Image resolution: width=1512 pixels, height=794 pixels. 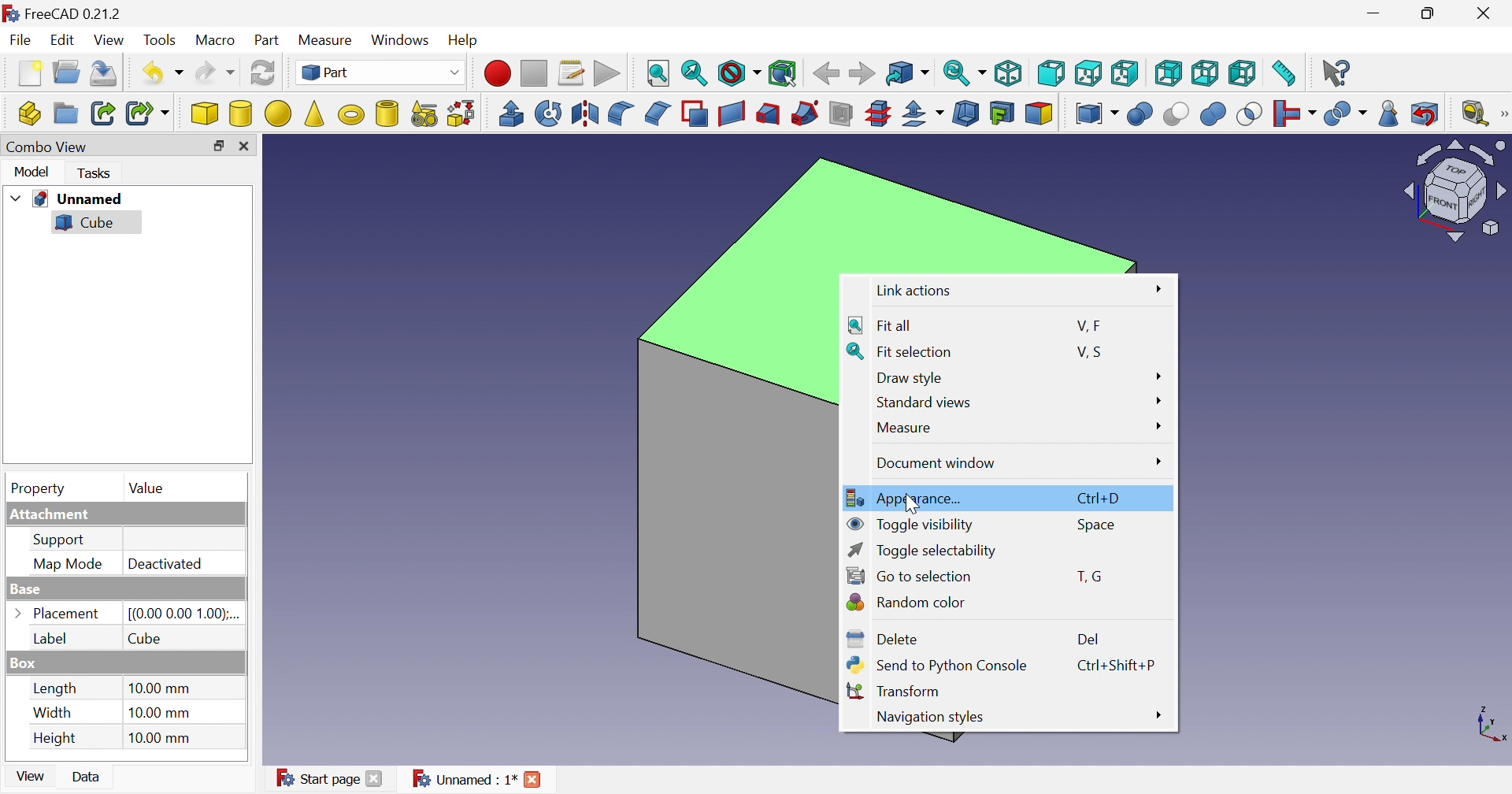 I want to click on Revolve, so click(x=550, y=113).